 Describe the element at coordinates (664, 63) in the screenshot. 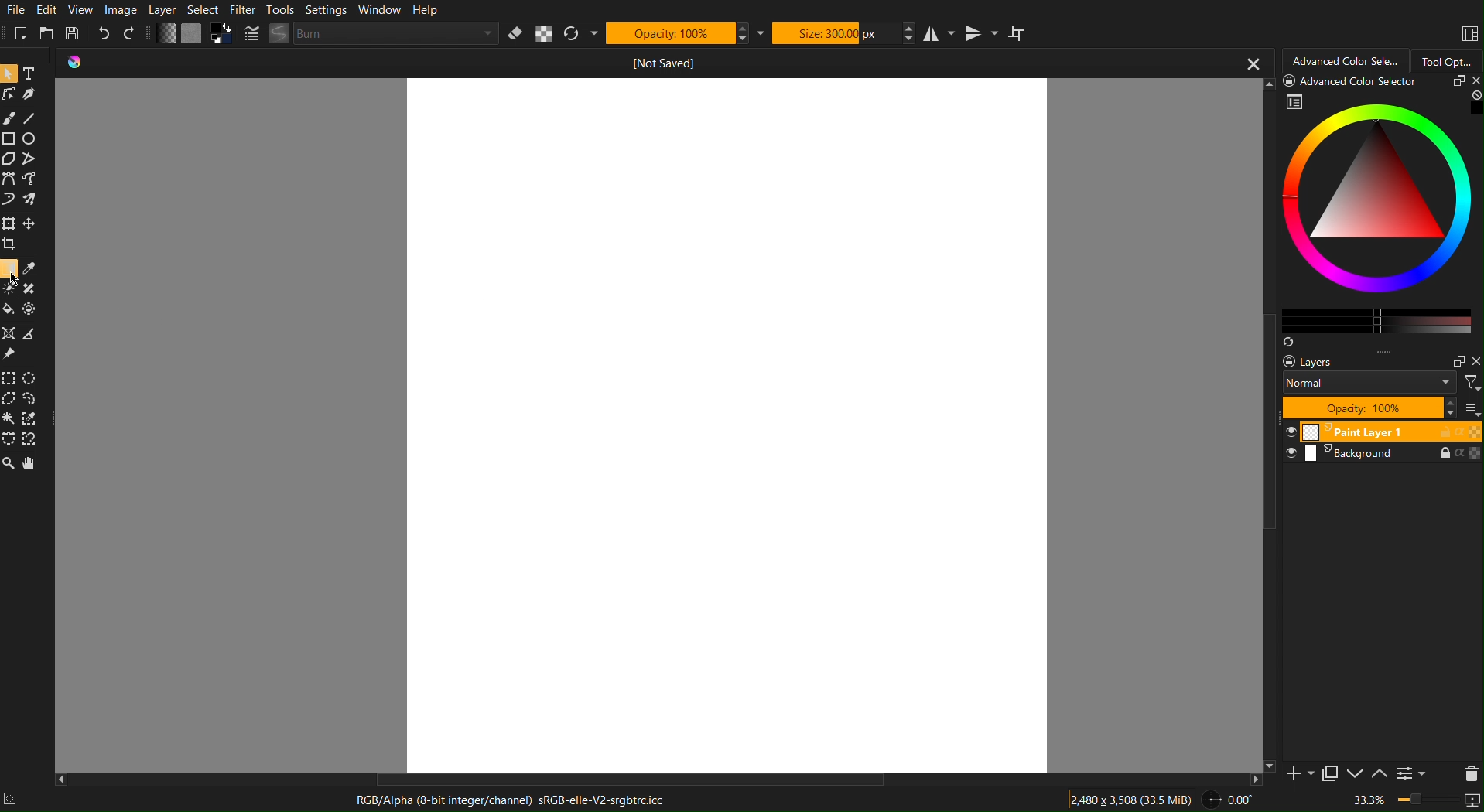

I see `Current document` at that location.